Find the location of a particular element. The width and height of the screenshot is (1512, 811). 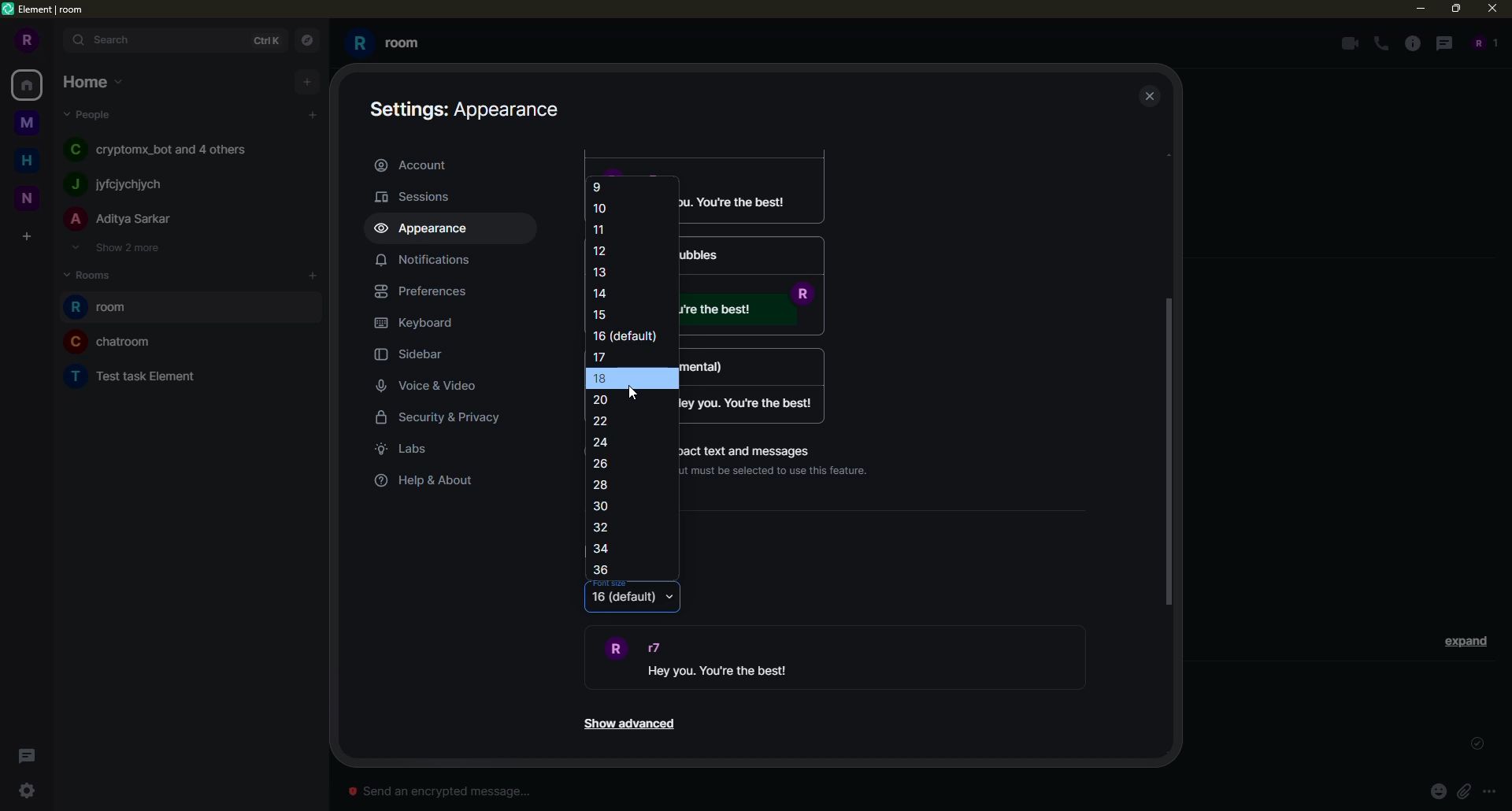

options is located at coordinates (1498, 791).